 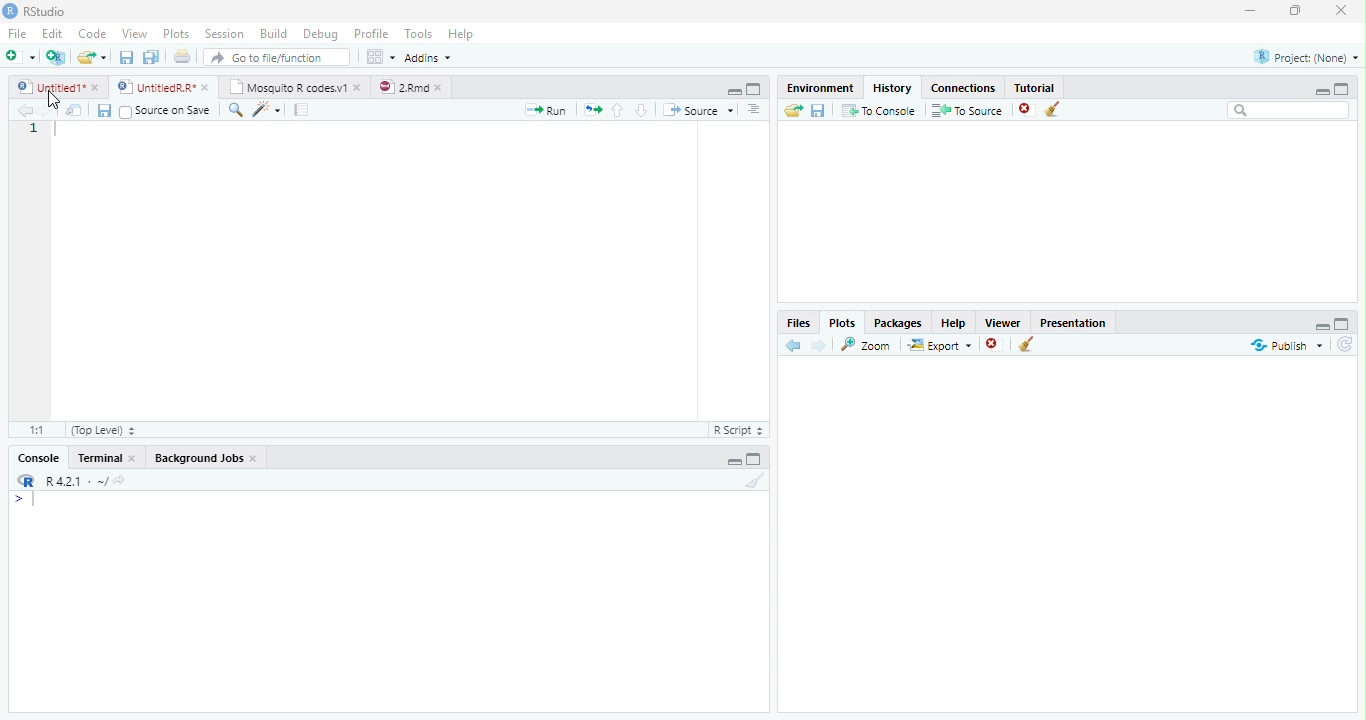 I want to click on Re run previous code region, so click(x=591, y=111).